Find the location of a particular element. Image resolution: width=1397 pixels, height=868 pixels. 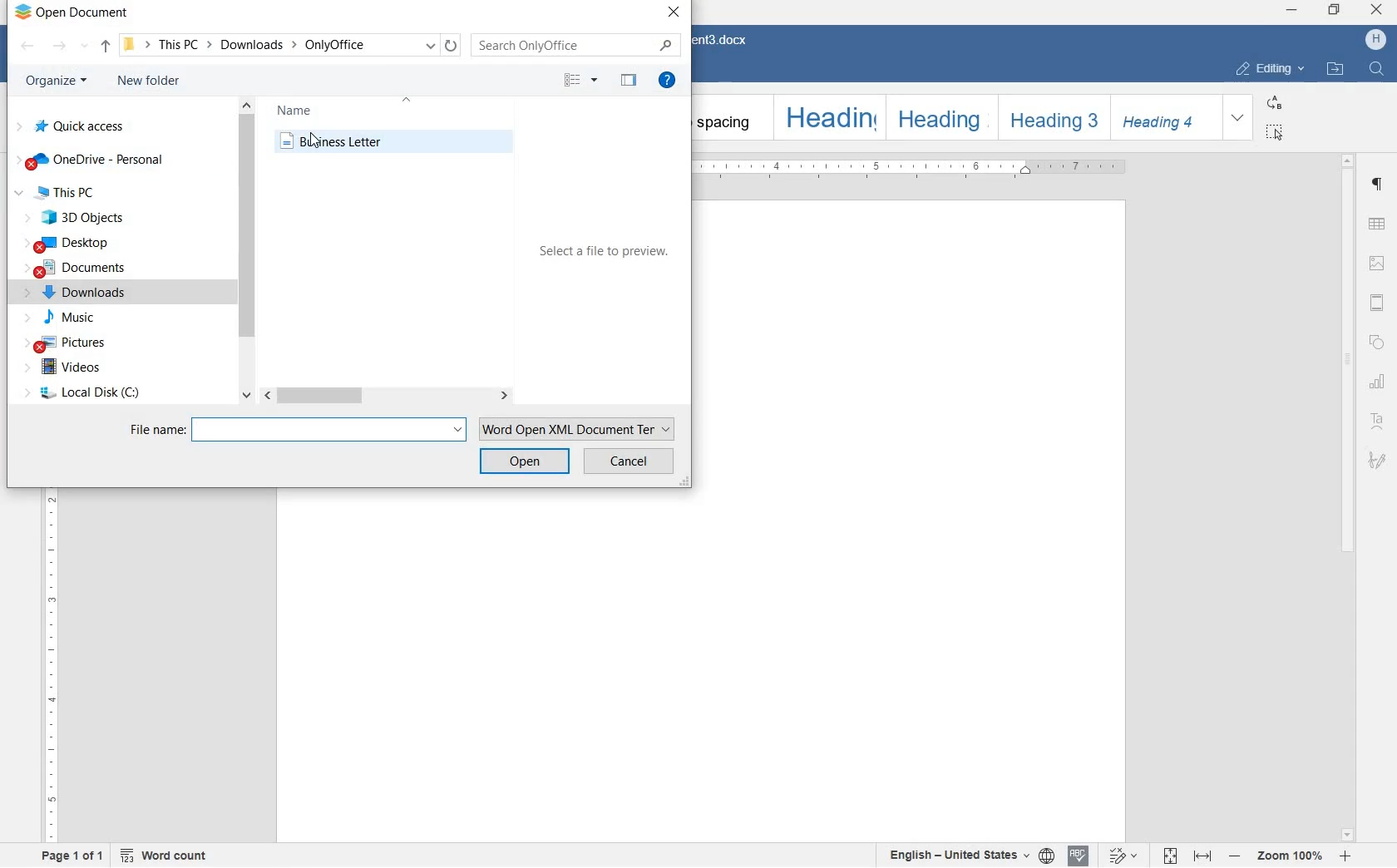

expanding is located at coordinates (1237, 116).